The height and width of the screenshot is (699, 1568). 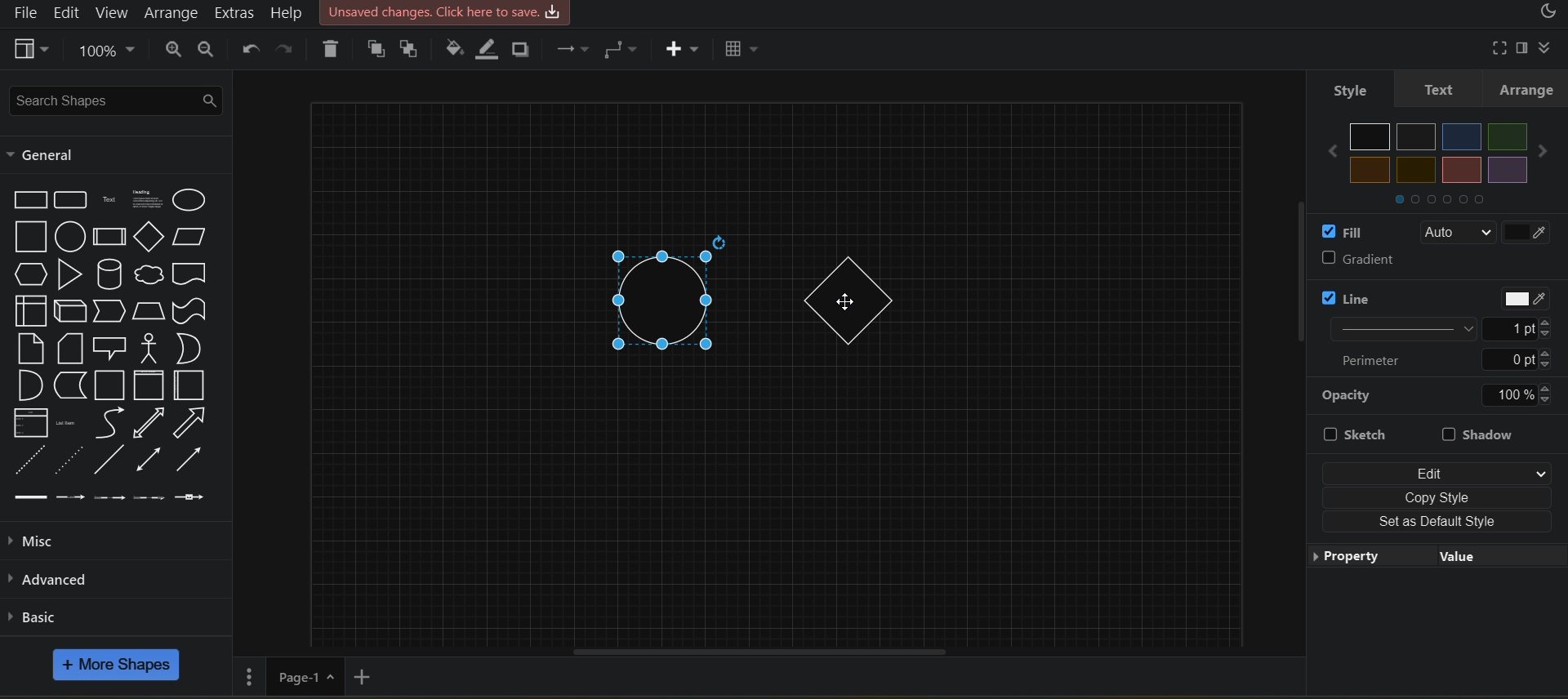 I want to click on view, so click(x=118, y=13).